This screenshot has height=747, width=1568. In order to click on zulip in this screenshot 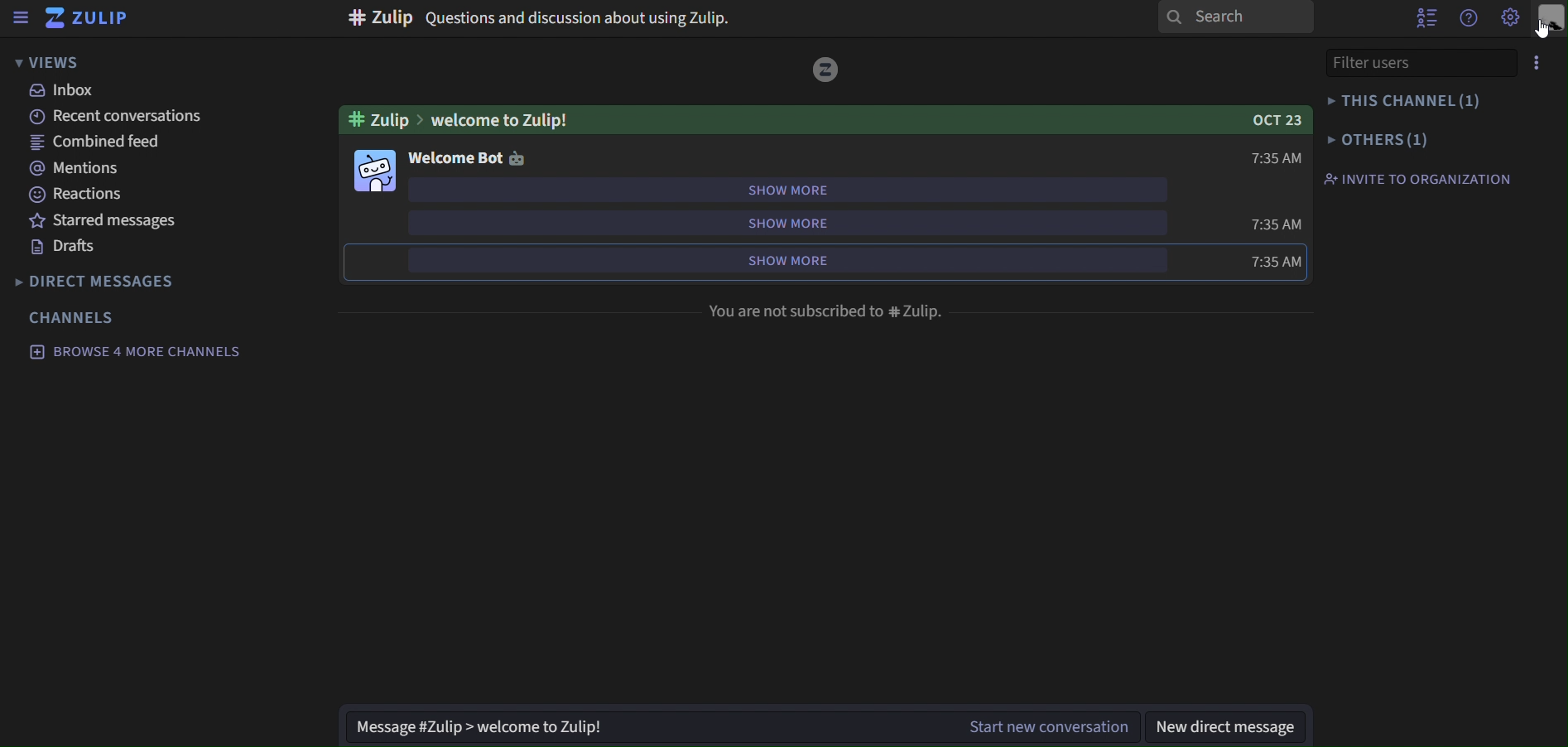, I will do `click(95, 17)`.